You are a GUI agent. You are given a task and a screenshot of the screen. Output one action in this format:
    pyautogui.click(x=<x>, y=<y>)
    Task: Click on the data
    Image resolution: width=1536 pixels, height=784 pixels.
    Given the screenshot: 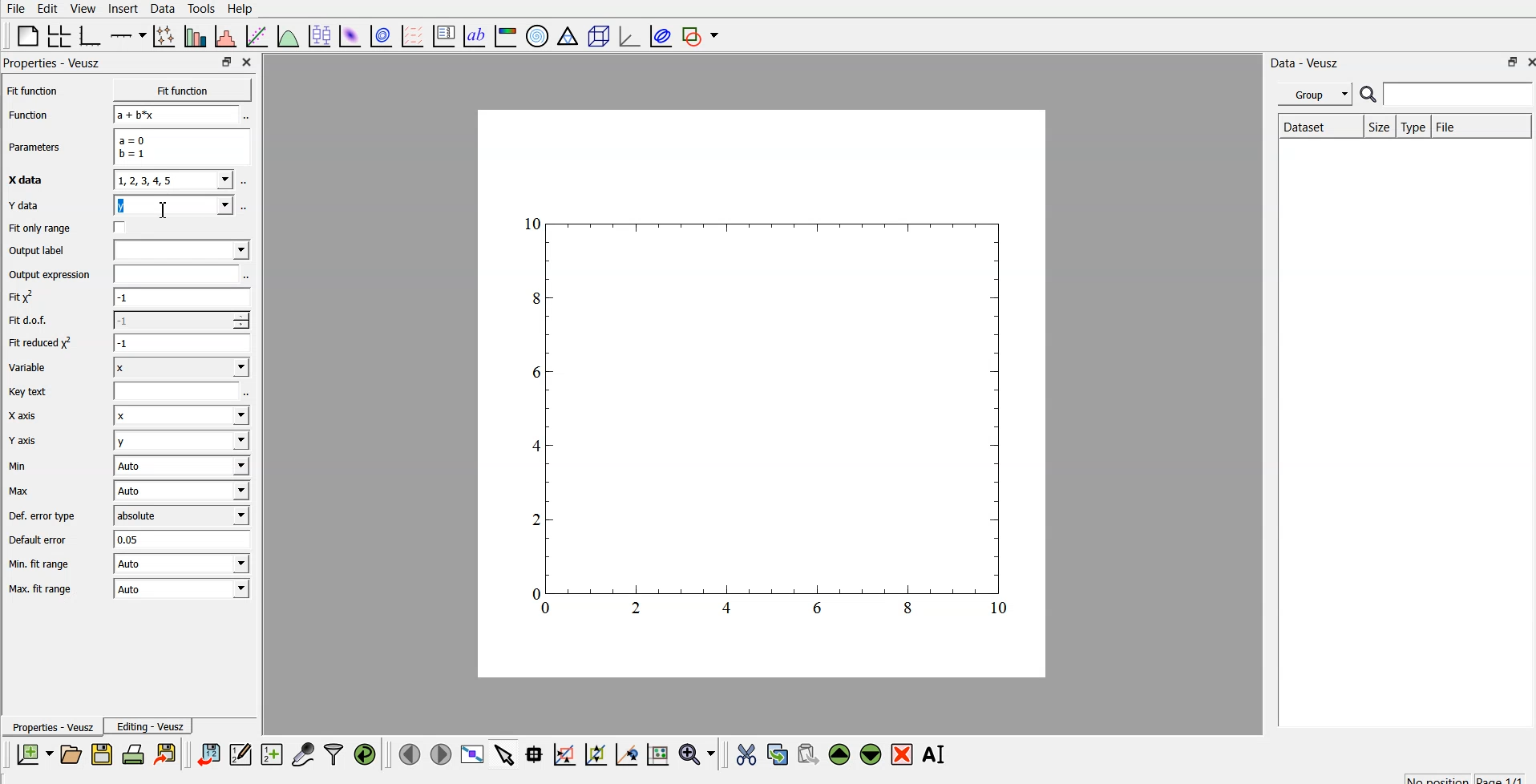 What is the action you would take?
    pyautogui.click(x=162, y=8)
    